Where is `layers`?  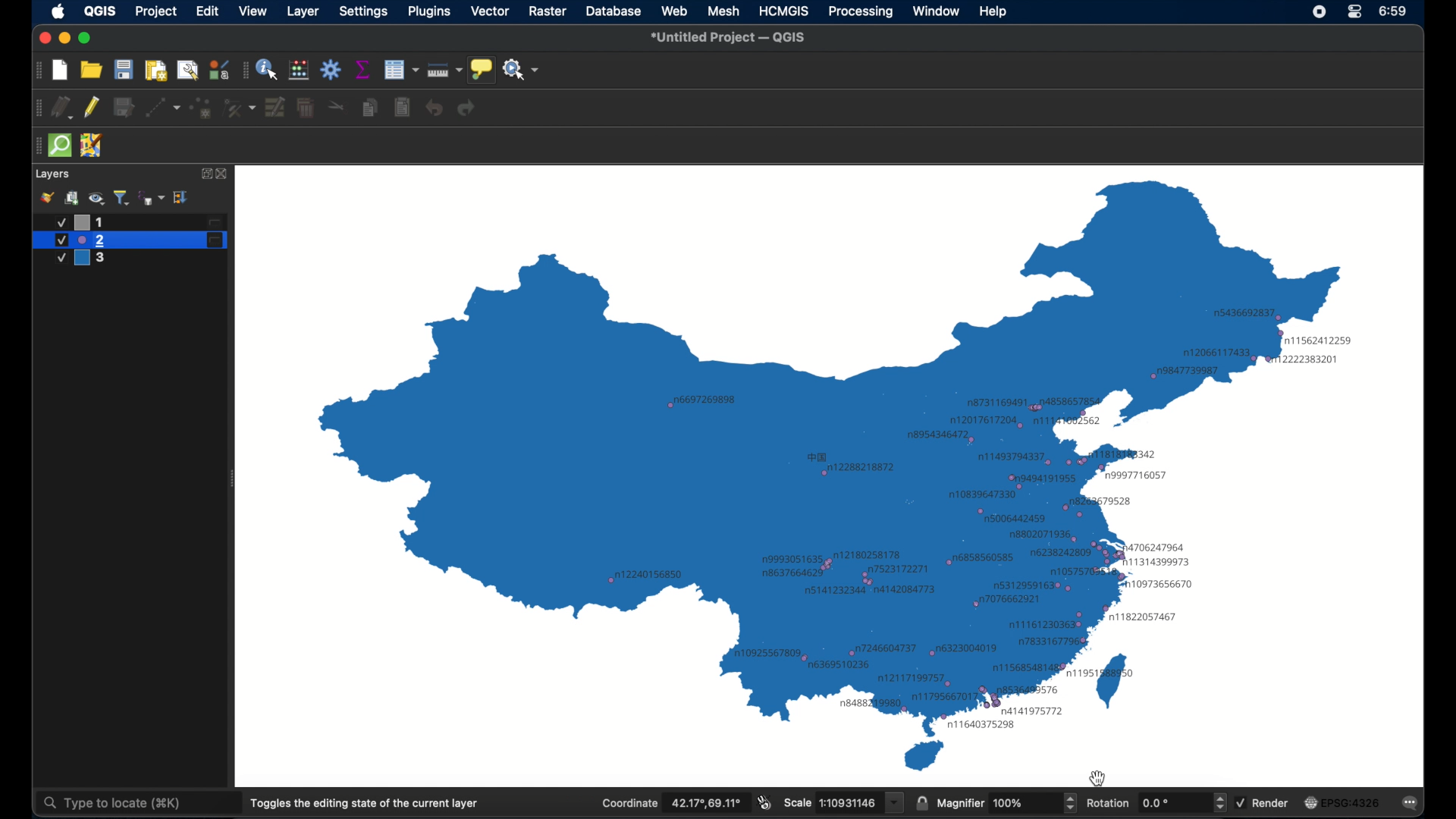
layers is located at coordinates (54, 174).